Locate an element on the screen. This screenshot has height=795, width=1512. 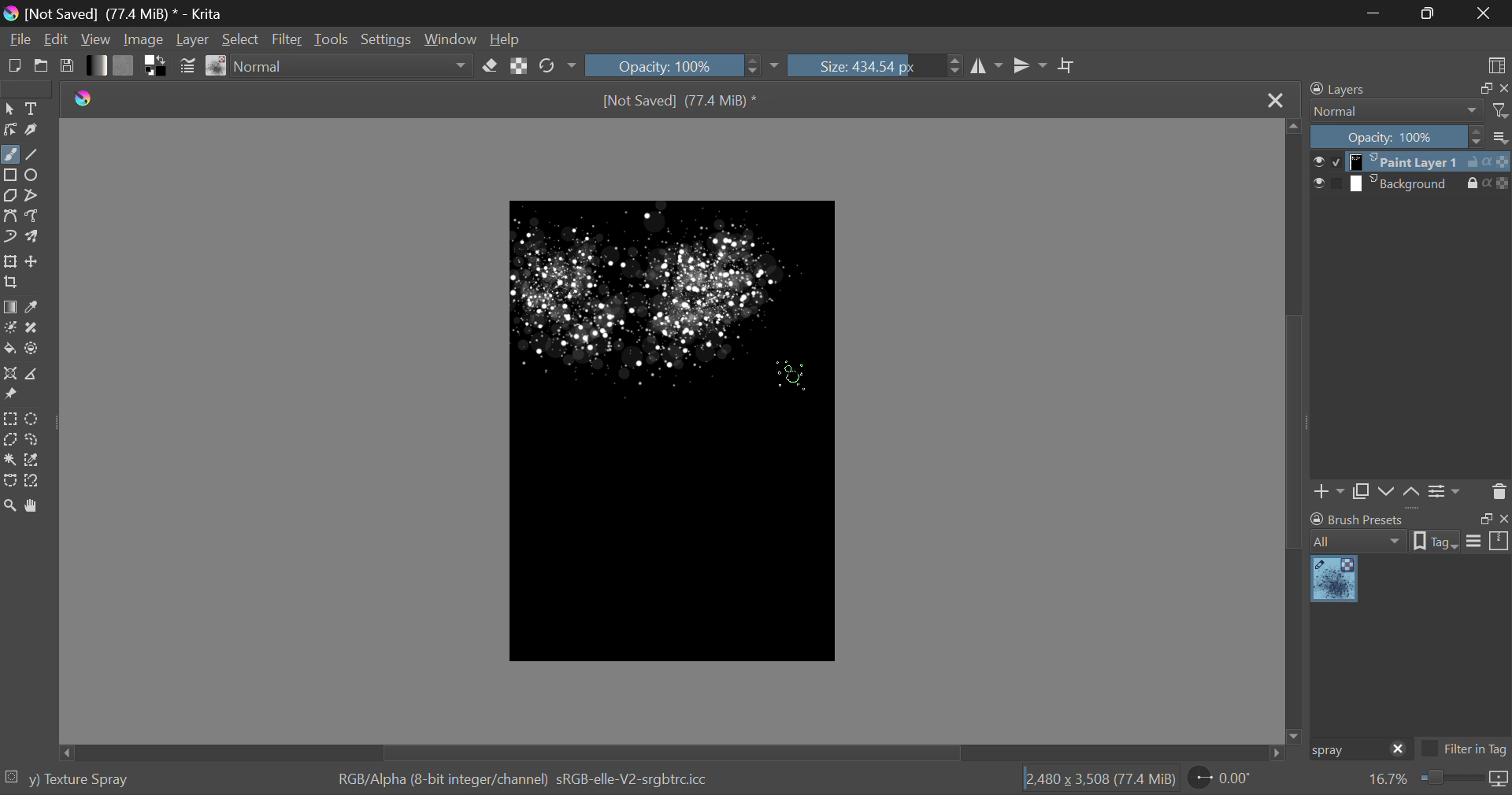
12,480 x 3,508 (69.2 MiB) is located at coordinates (1100, 778).